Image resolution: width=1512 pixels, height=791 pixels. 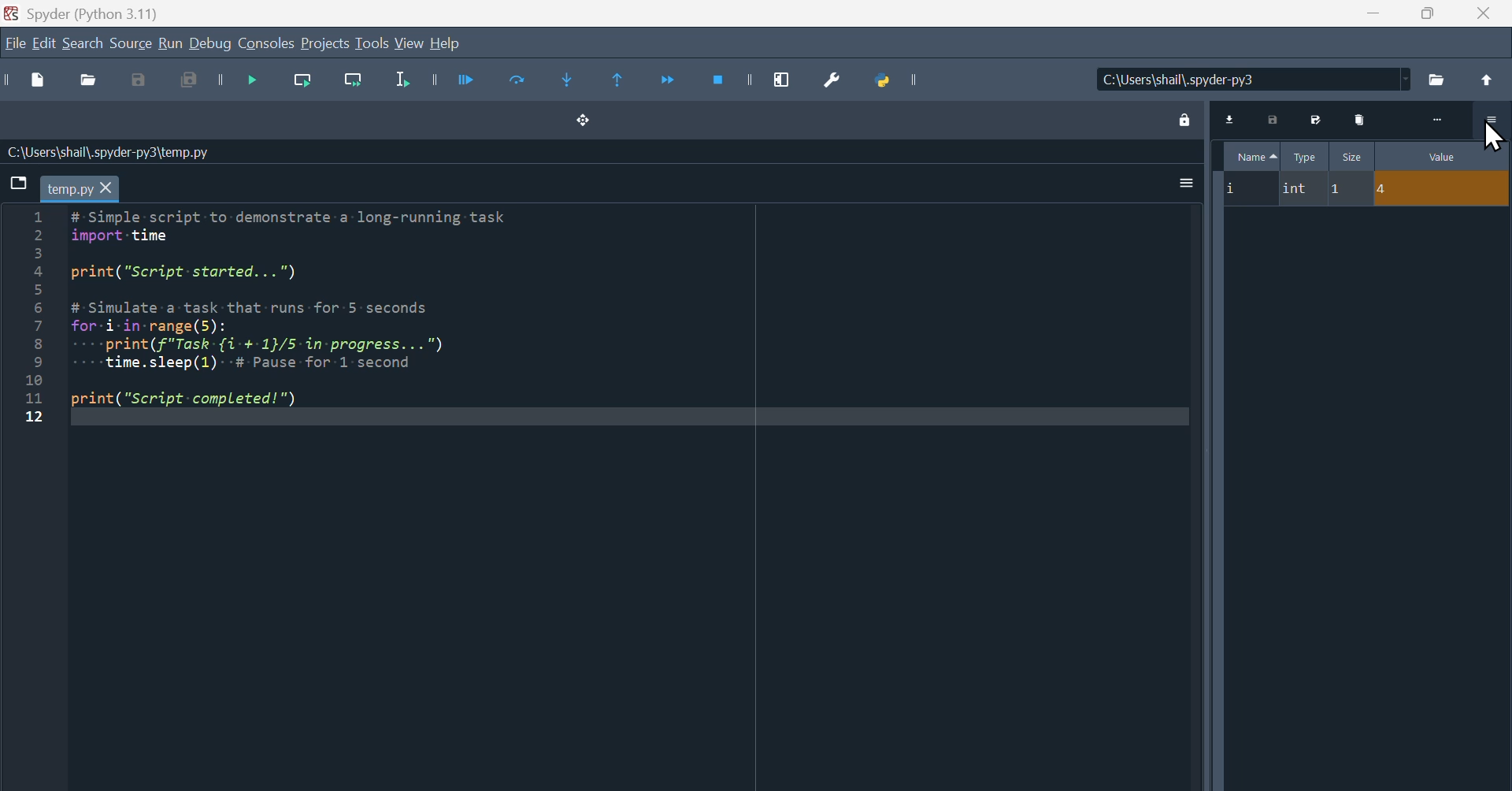 I want to click on Edit, so click(x=44, y=42).